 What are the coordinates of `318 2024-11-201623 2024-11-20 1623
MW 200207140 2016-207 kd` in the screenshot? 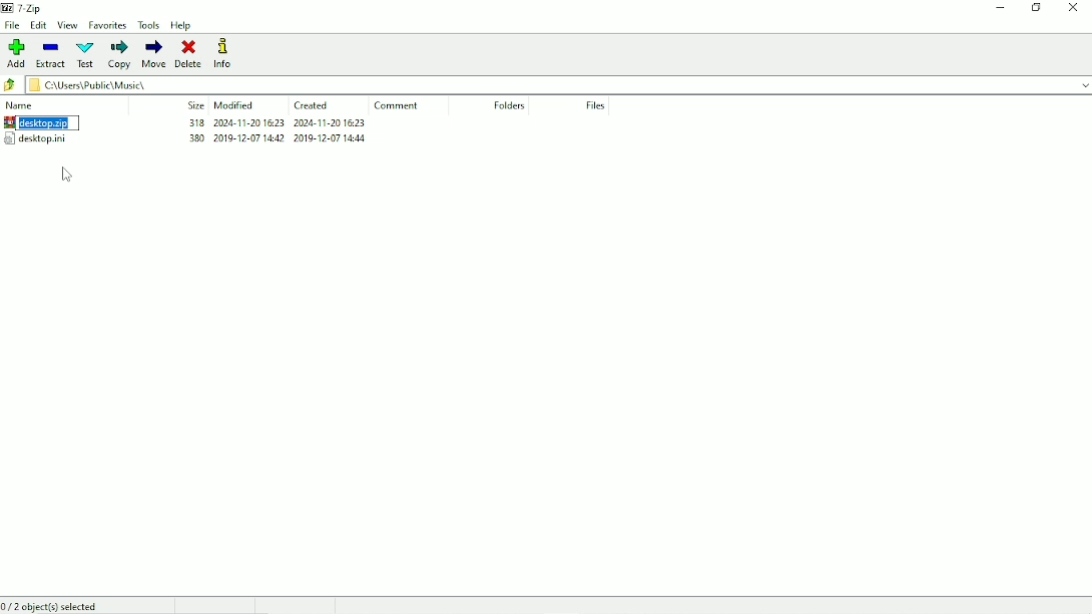 It's located at (278, 135).